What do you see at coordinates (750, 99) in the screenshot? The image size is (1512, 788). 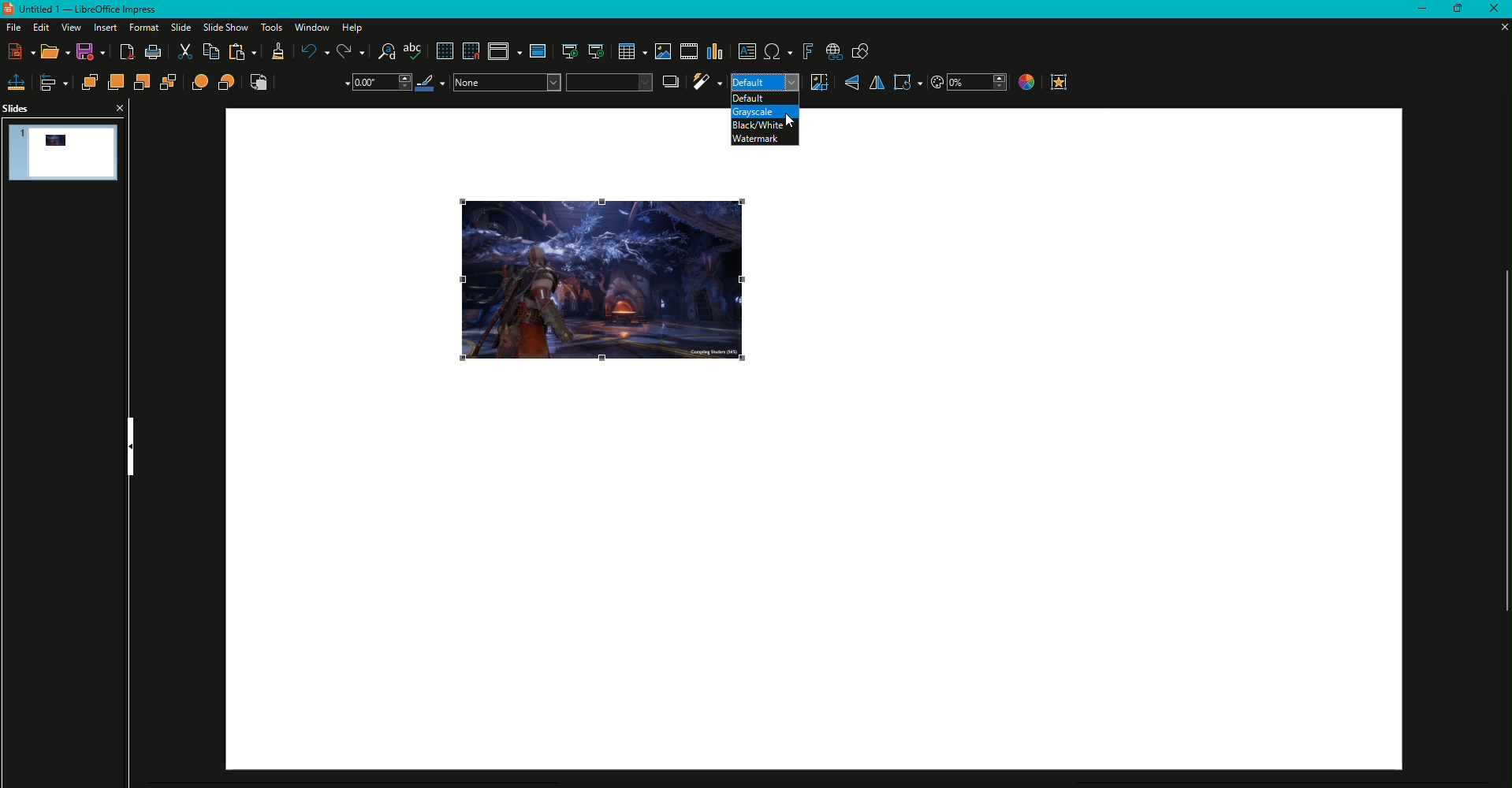 I see `Default` at bounding box center [750, 99].